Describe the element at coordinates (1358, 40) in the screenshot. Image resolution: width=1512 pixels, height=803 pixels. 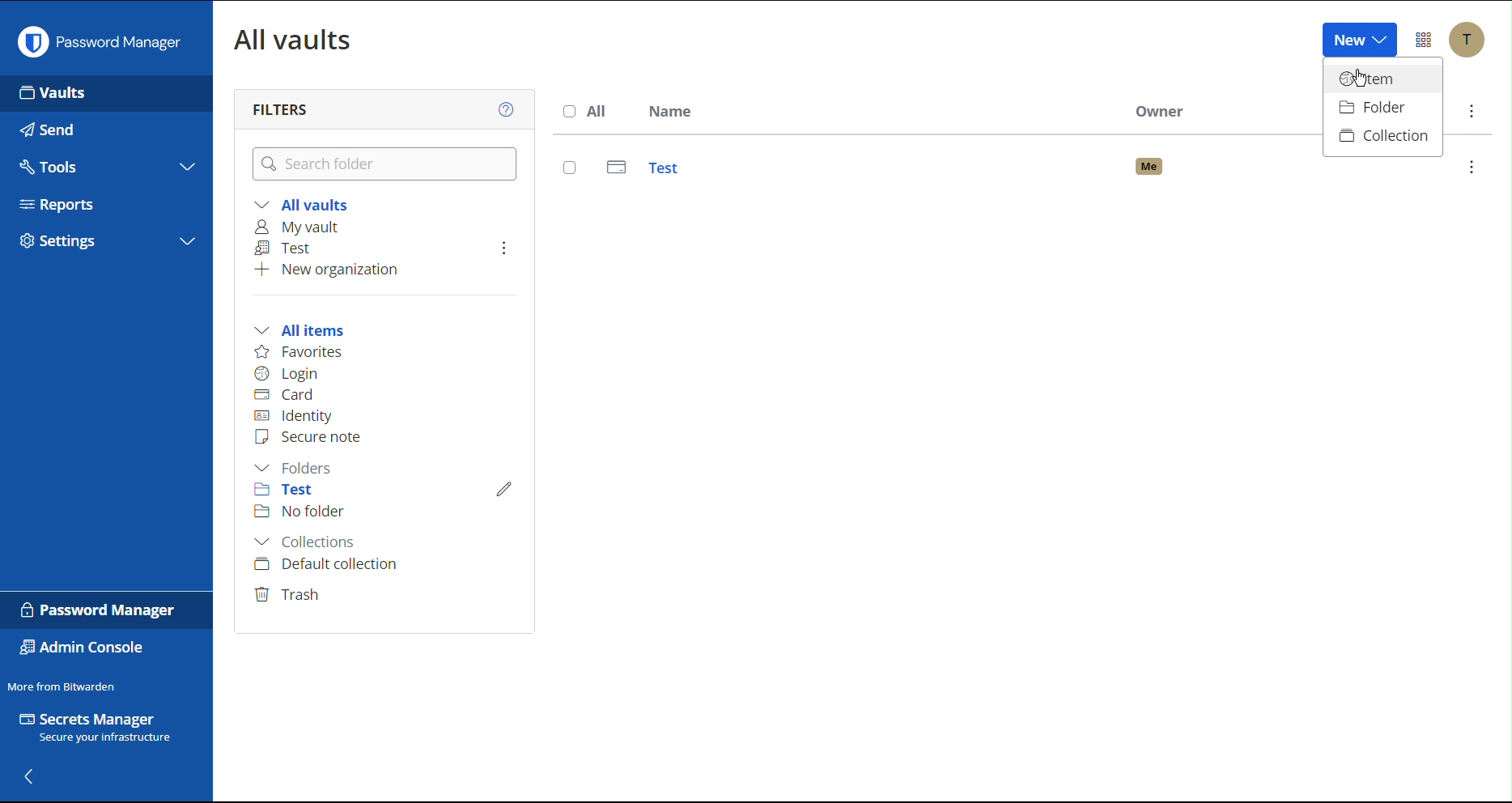
I see `New` at that location.